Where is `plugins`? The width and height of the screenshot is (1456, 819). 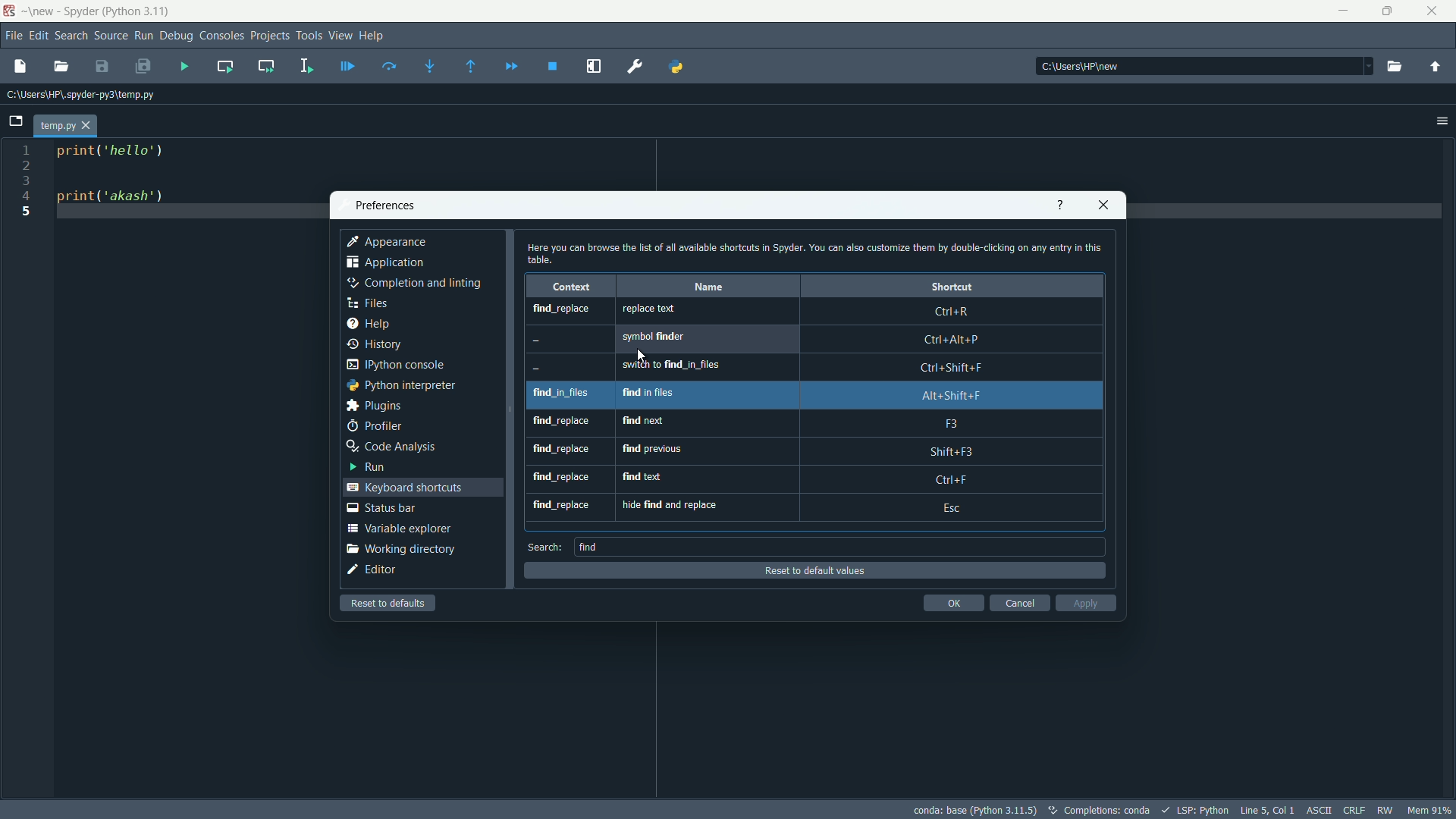
plugins is located at coordinates (378, 405).